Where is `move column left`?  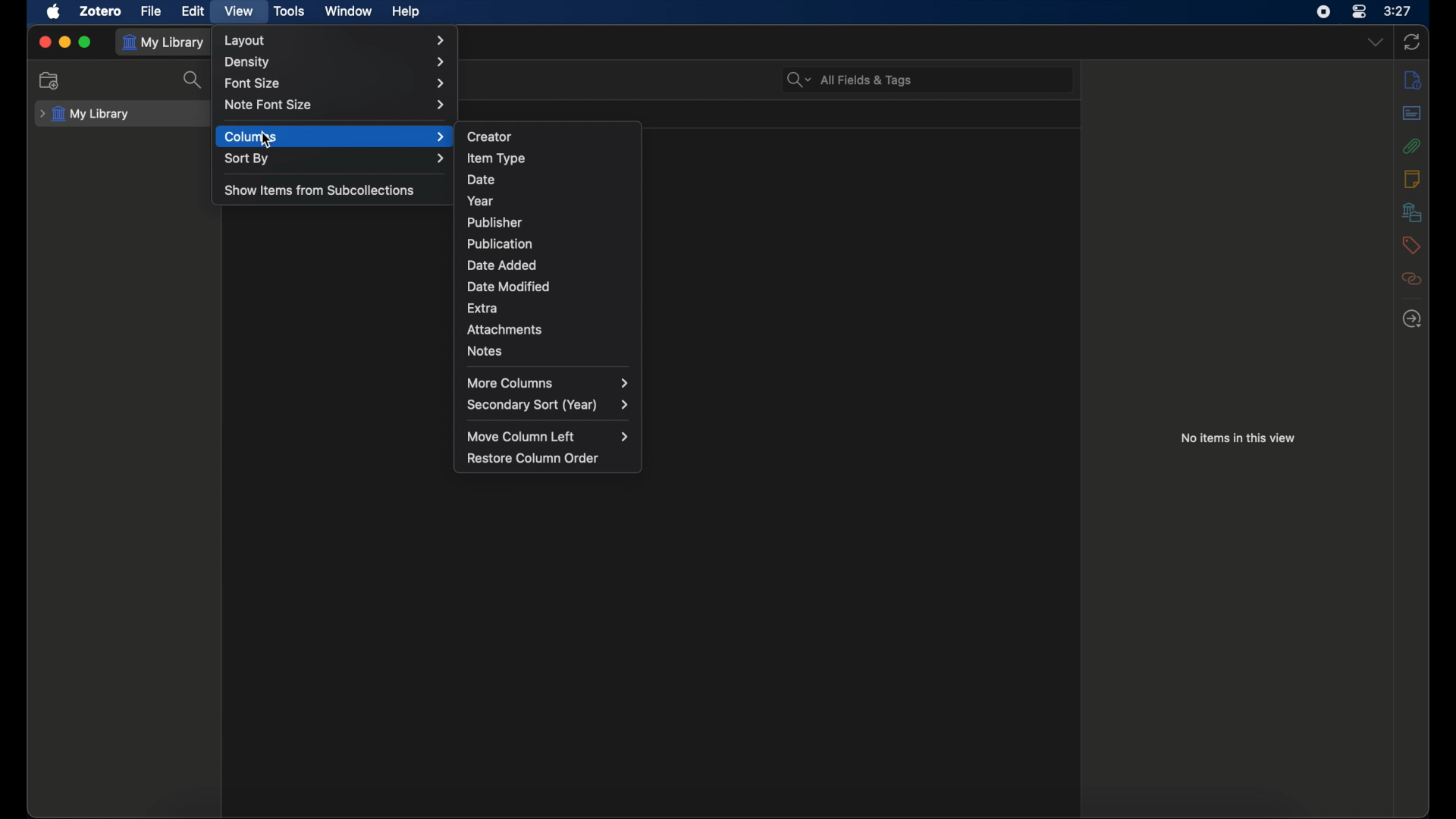 move column left is located at coordinates (549, 437).